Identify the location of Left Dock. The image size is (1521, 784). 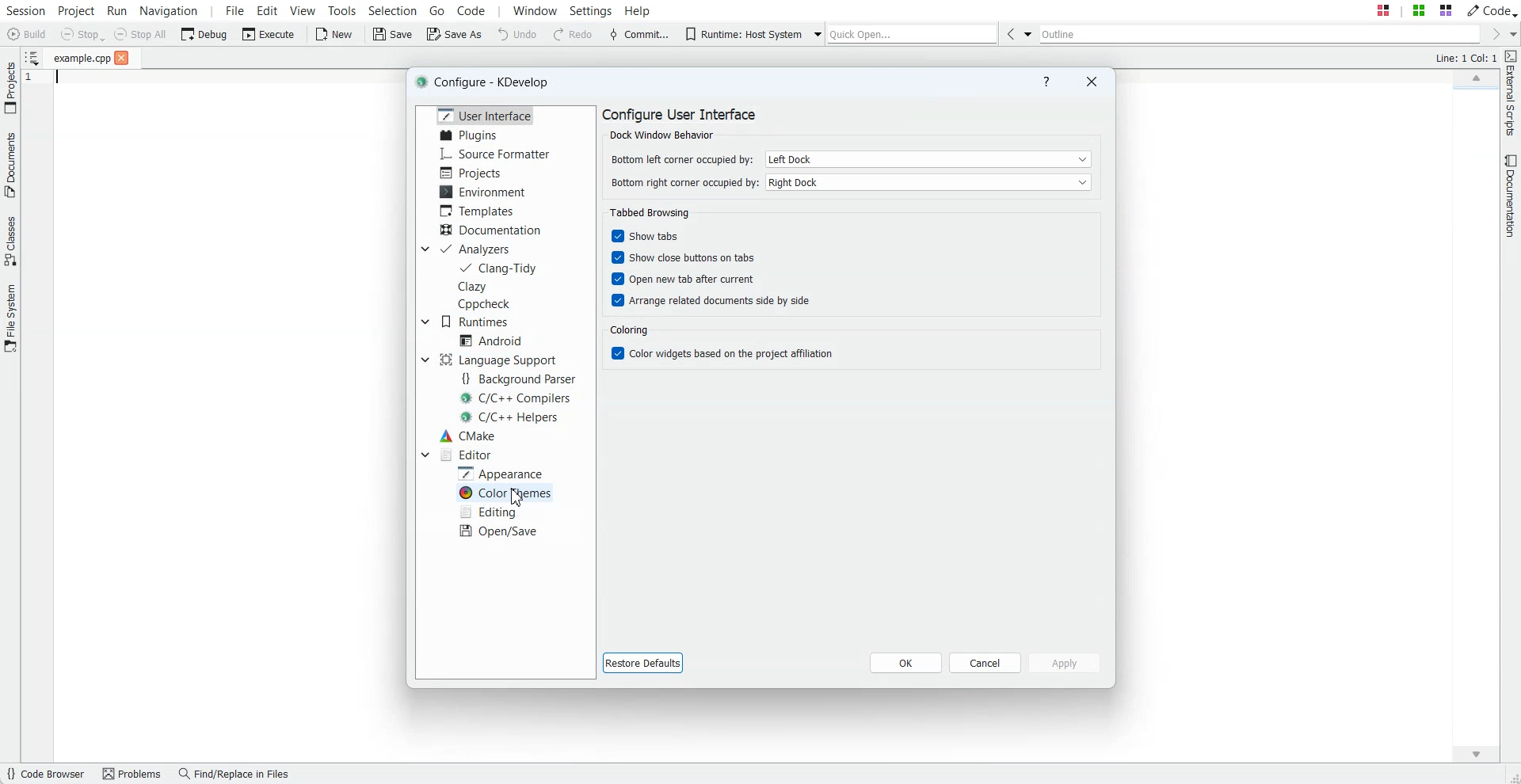
(928, 158).